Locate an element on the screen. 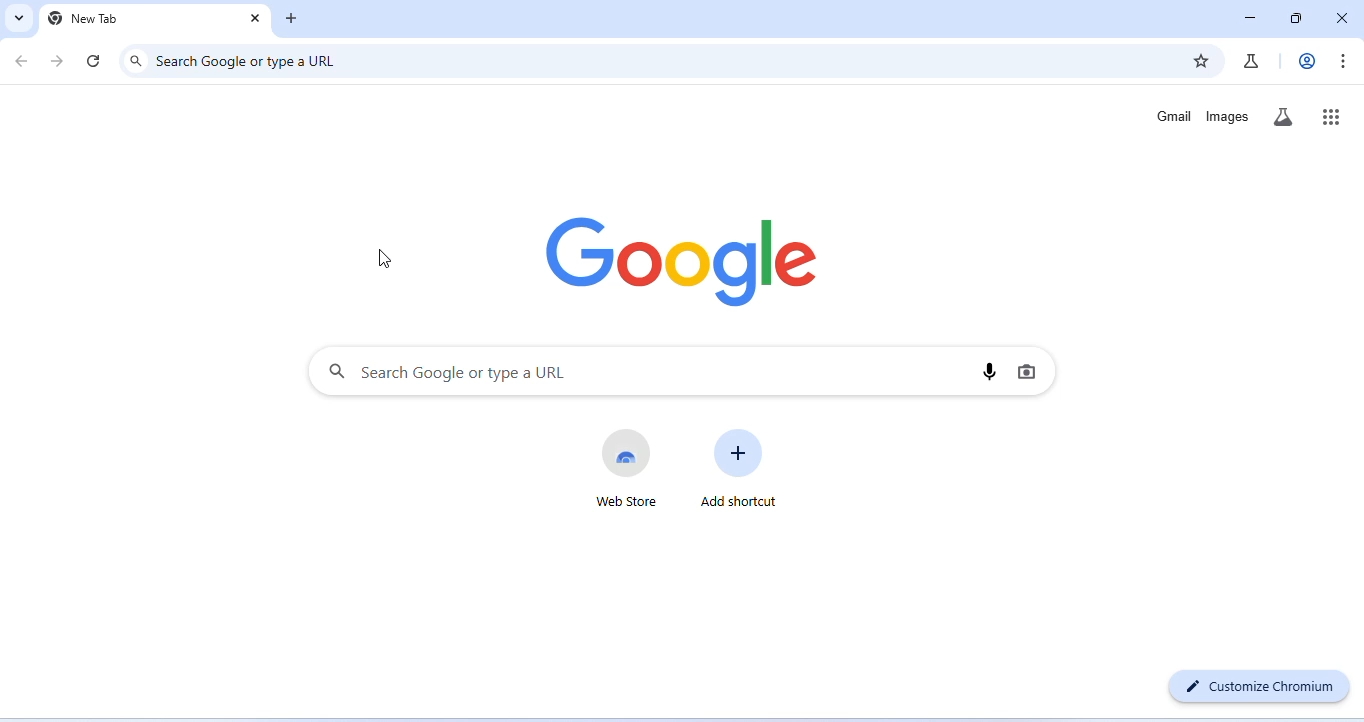  web store is located at coordinates (633, 468).